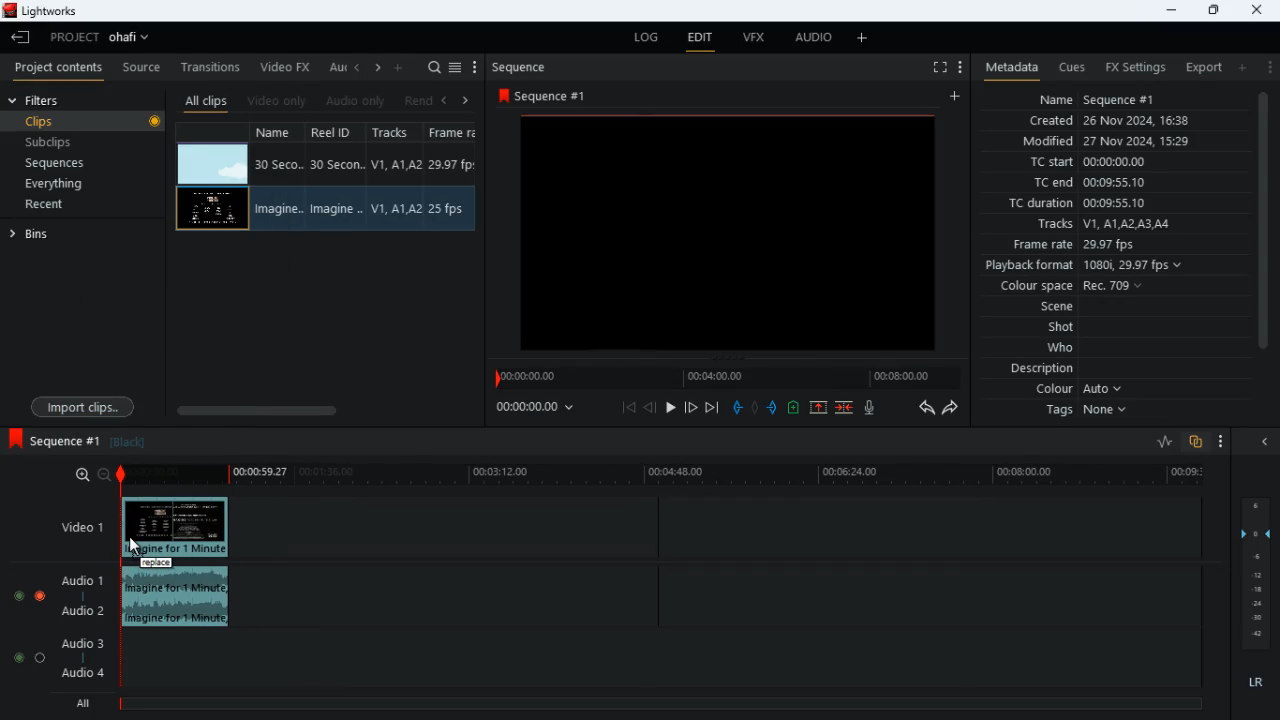 Image resolution: width=1280 pixels, height=720 pixels. Describe the element at coordinates (81, 676) in the screenshot. I see `audio 4` at that location.